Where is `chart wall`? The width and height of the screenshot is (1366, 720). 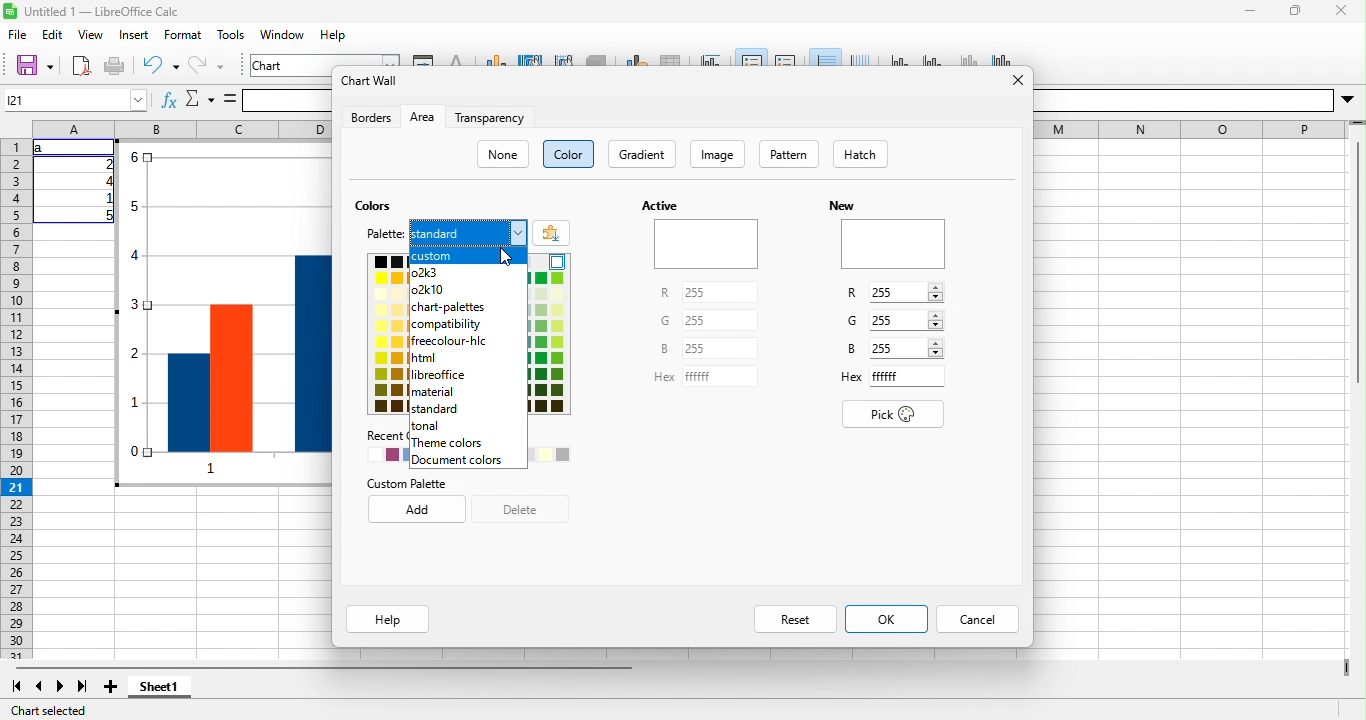
chart wall is located at coordinates (371, 80).